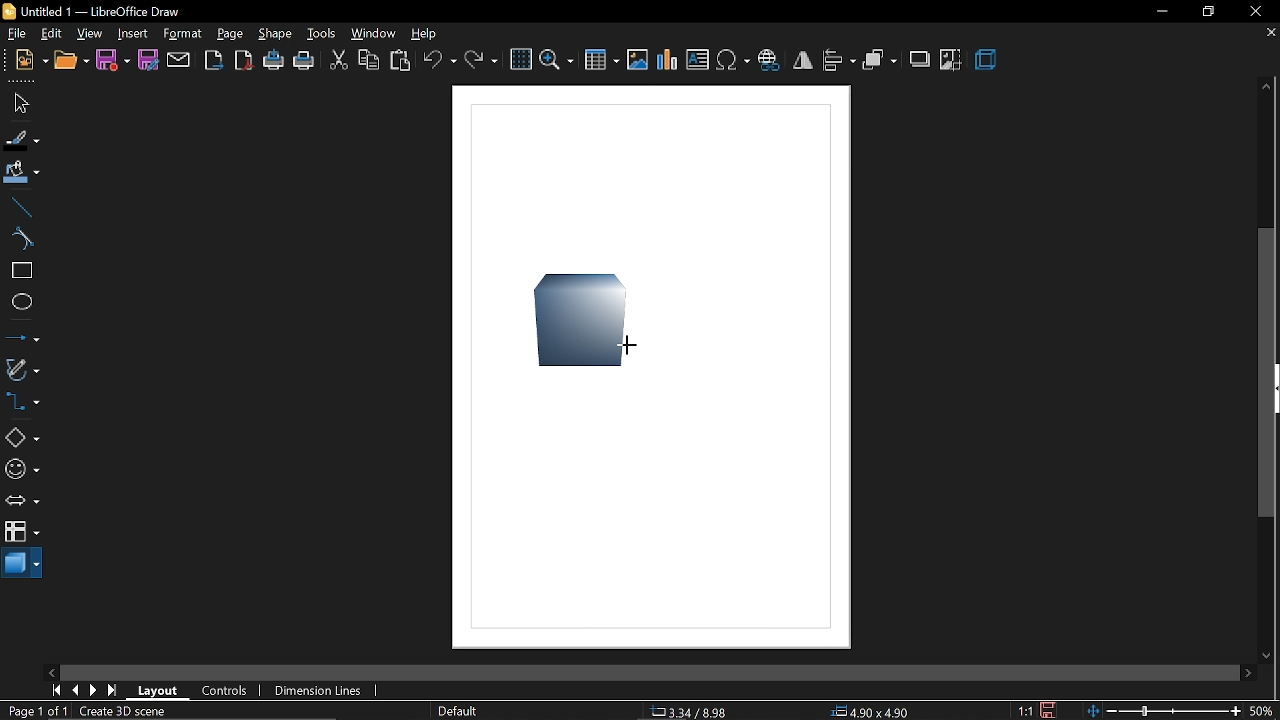 The height and width of the screenshot is (720, 1280). What do you see at coordinates (803, 60) in the screenshot?
I see `flip` at bounding box center [803, 60].